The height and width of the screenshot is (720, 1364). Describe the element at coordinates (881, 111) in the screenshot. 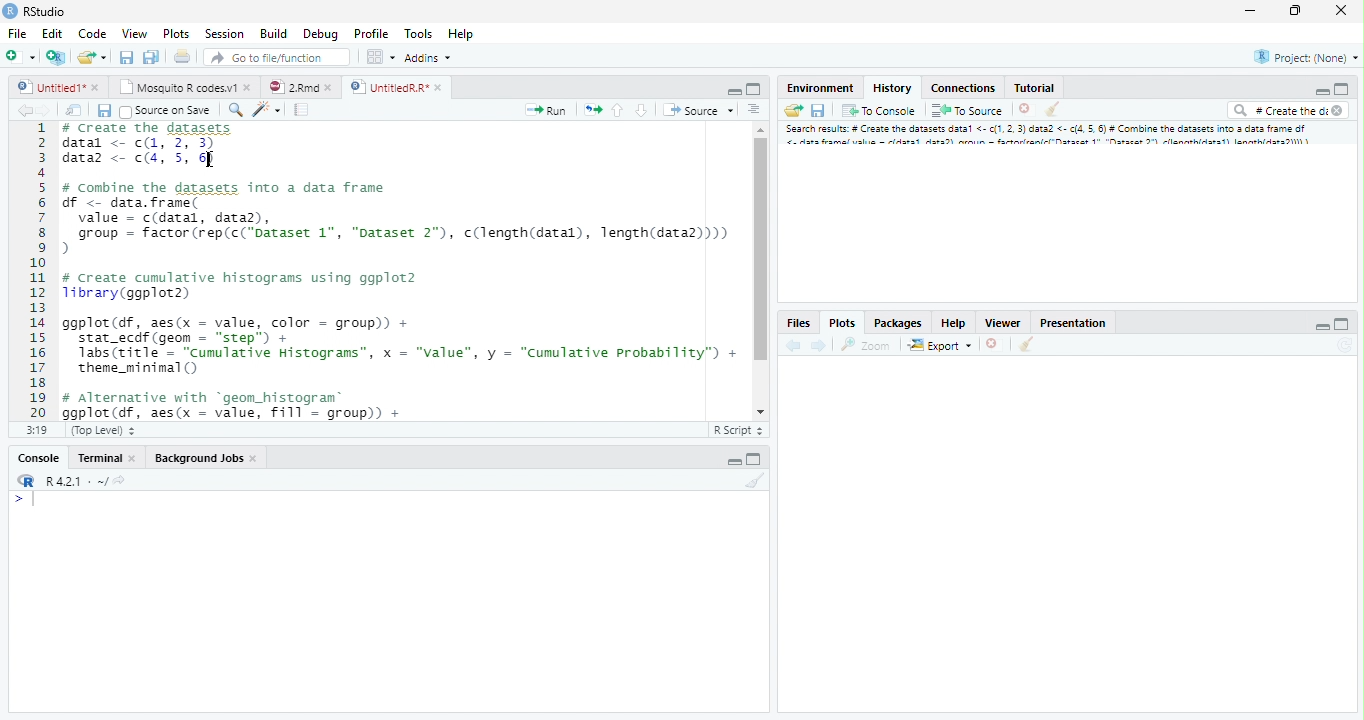

I see `To console` at that location.